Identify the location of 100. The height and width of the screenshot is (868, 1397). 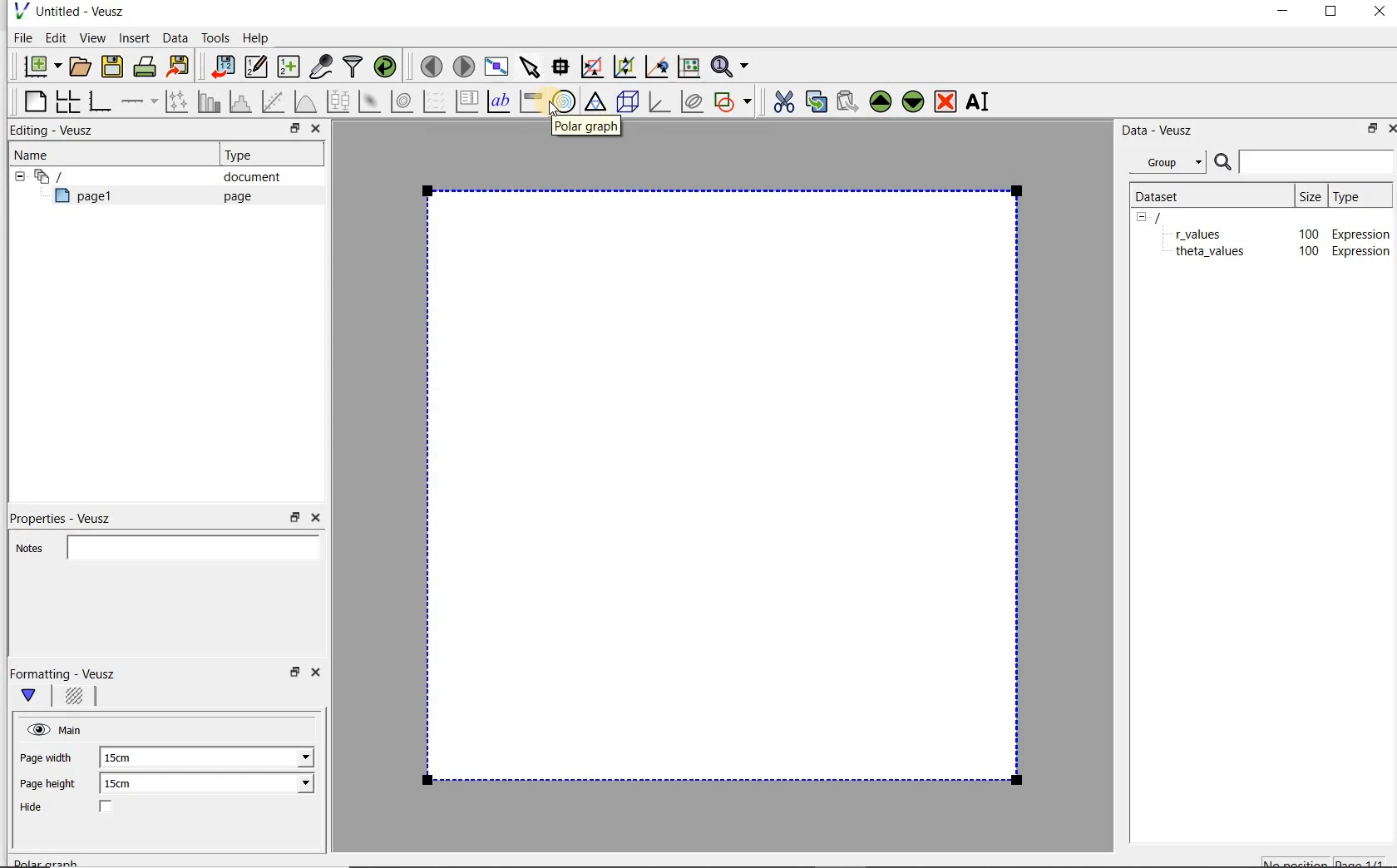
(1307, 252).